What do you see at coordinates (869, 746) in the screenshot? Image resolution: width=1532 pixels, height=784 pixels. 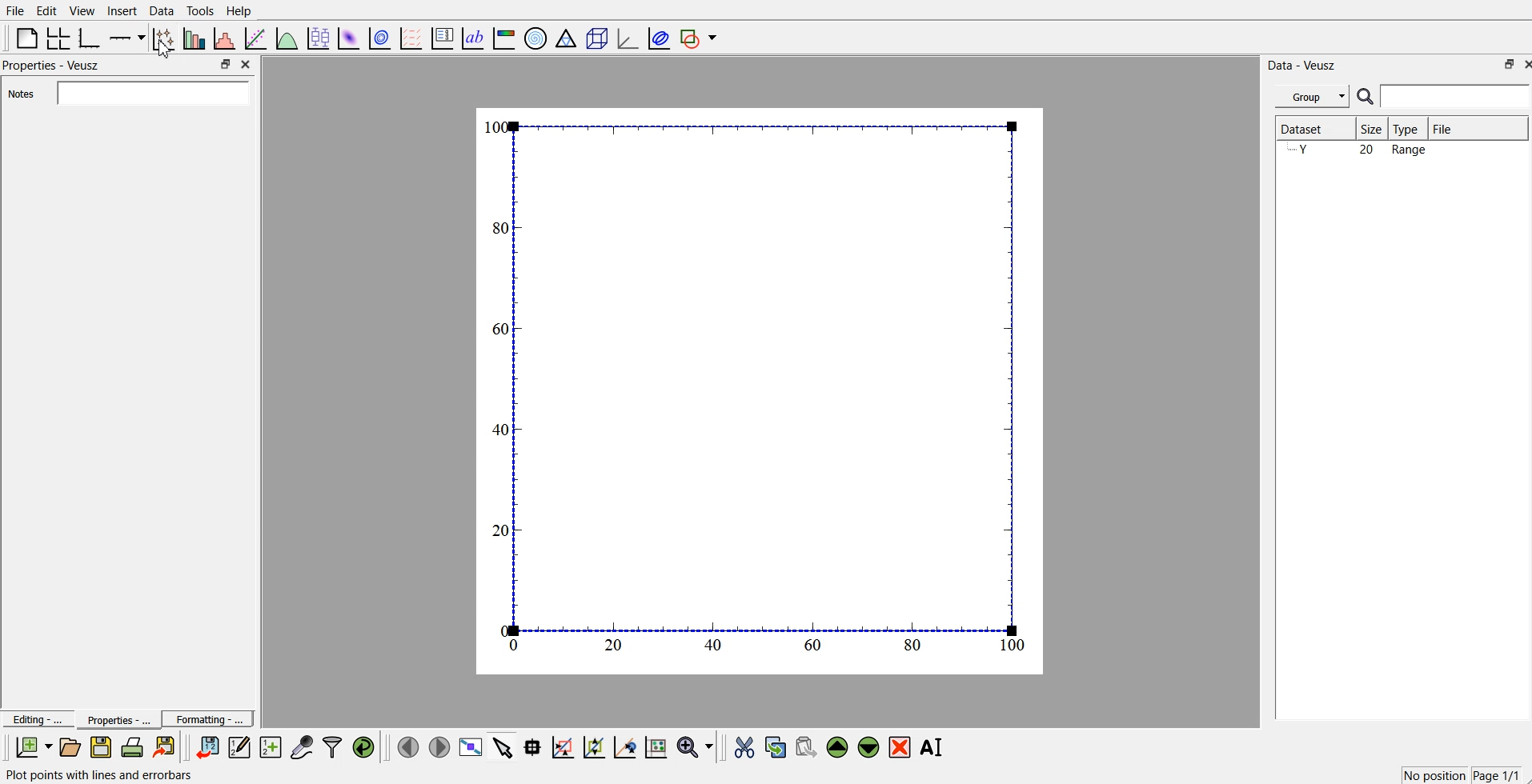 I see `move down` at bounding box center [869, 746].